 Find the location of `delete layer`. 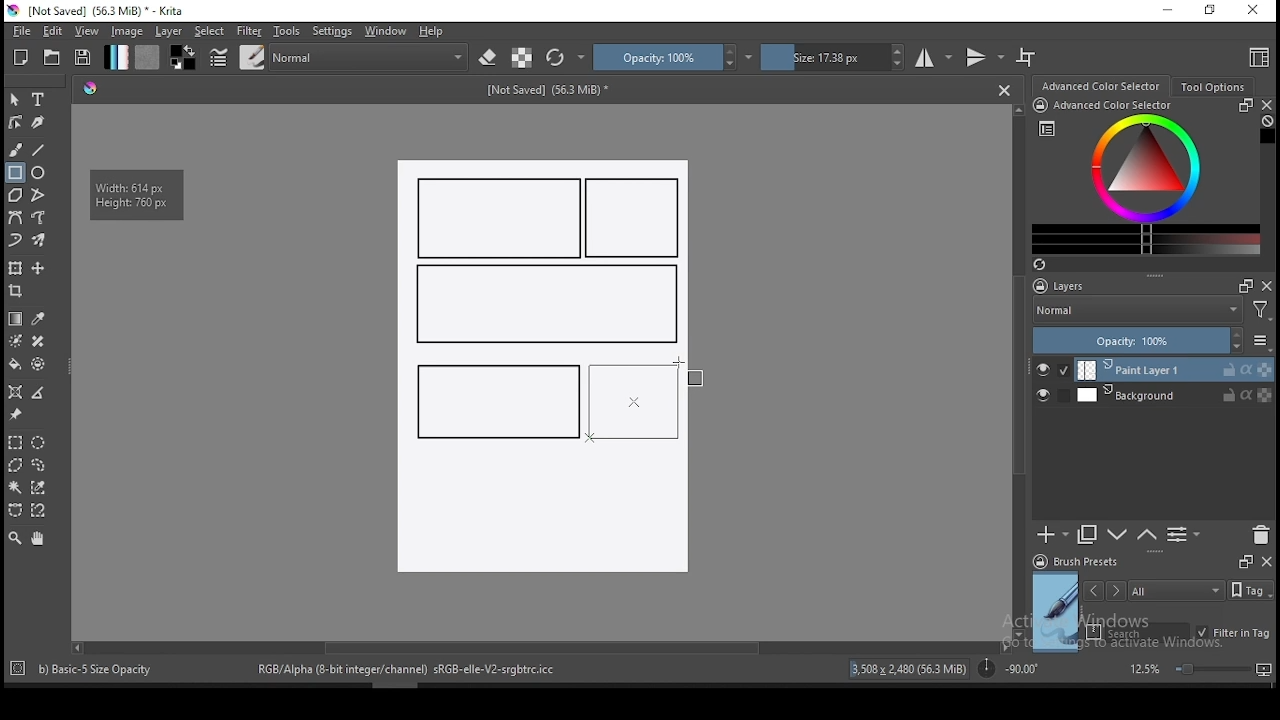

delete layer is located at coordinates (1260, 536).